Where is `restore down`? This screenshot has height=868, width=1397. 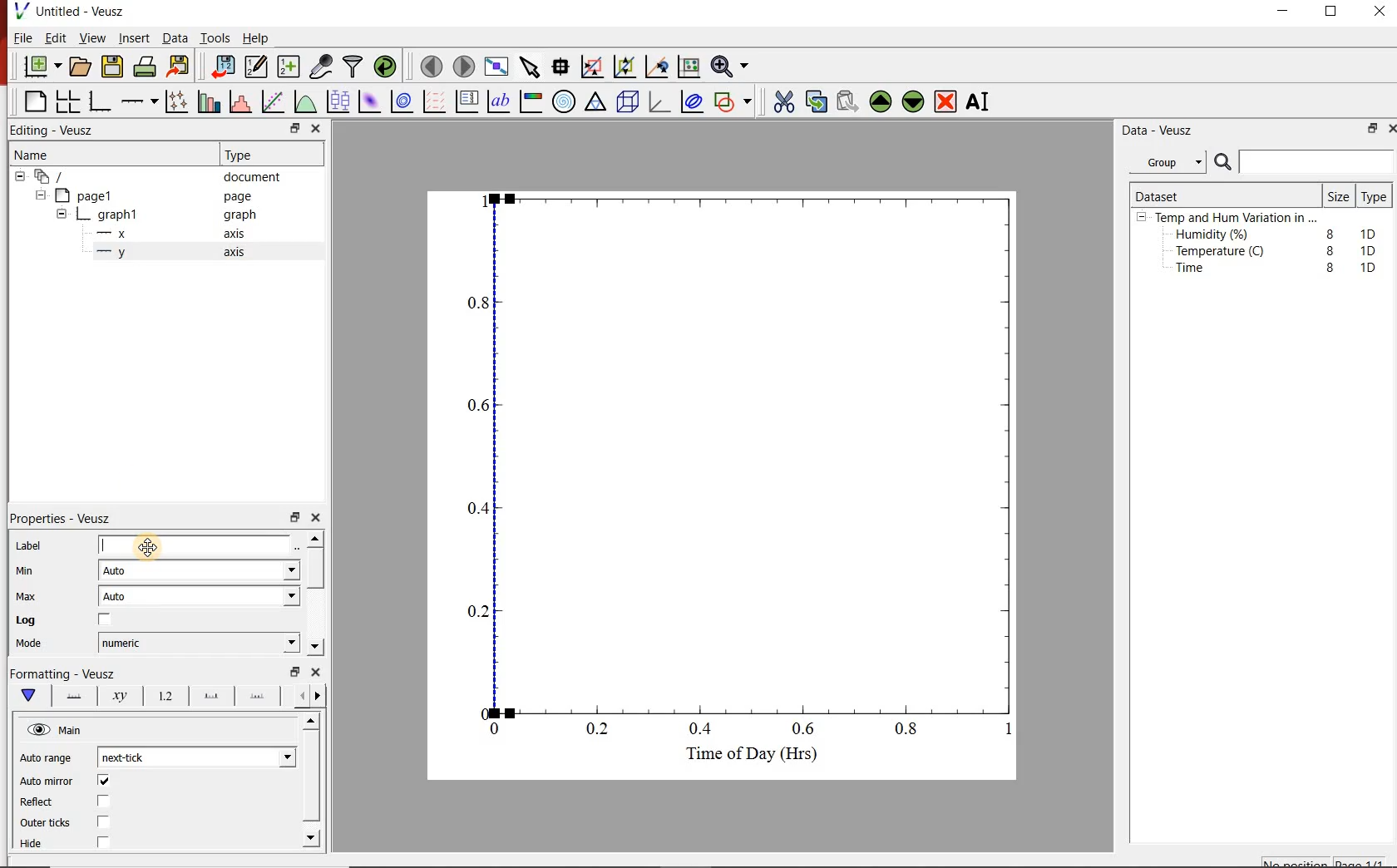
restore down is located at coordinates (292, 672).